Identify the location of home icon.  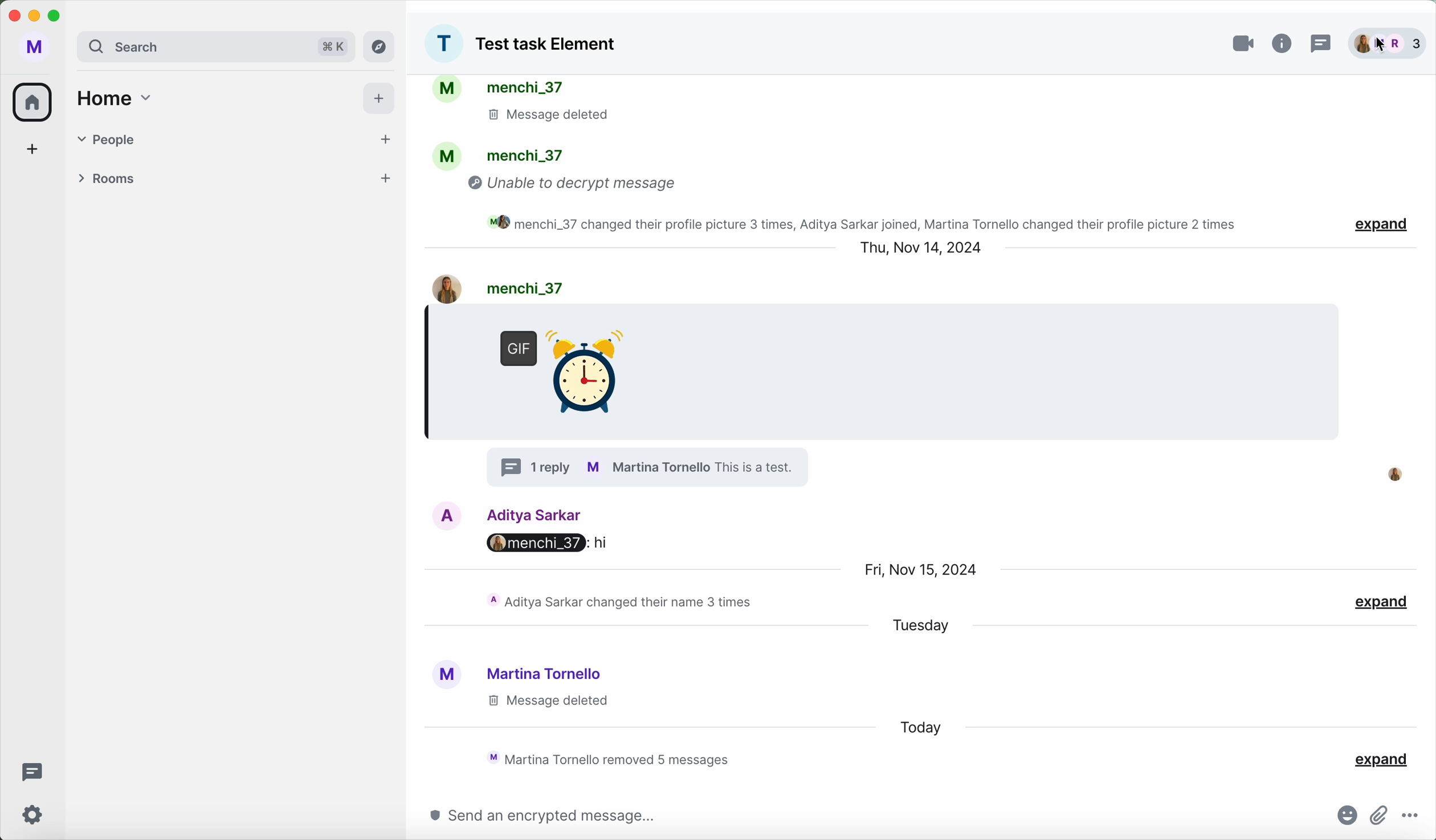
(35, 101).